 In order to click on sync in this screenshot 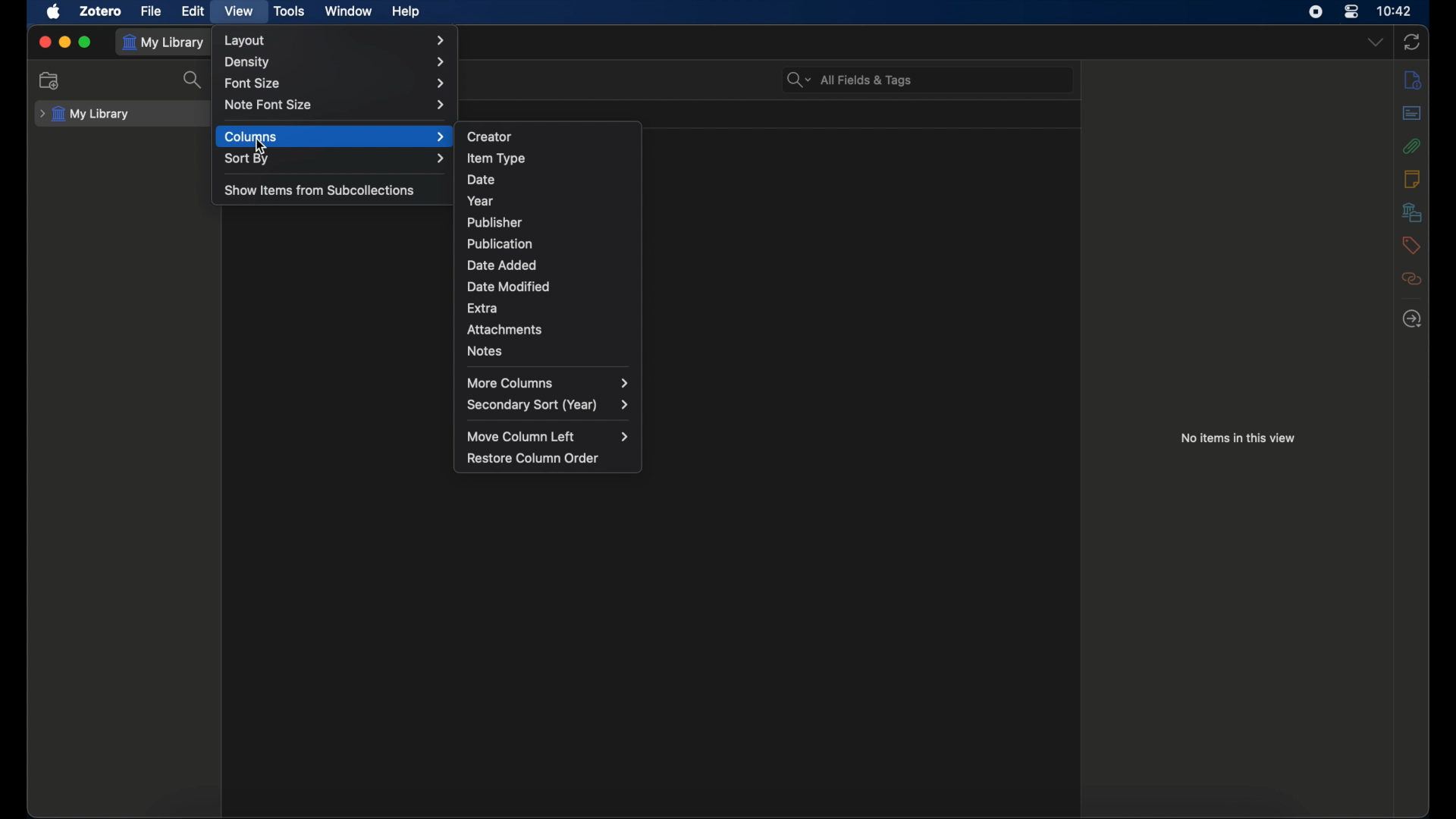, I will do `click(1412, 42)`.